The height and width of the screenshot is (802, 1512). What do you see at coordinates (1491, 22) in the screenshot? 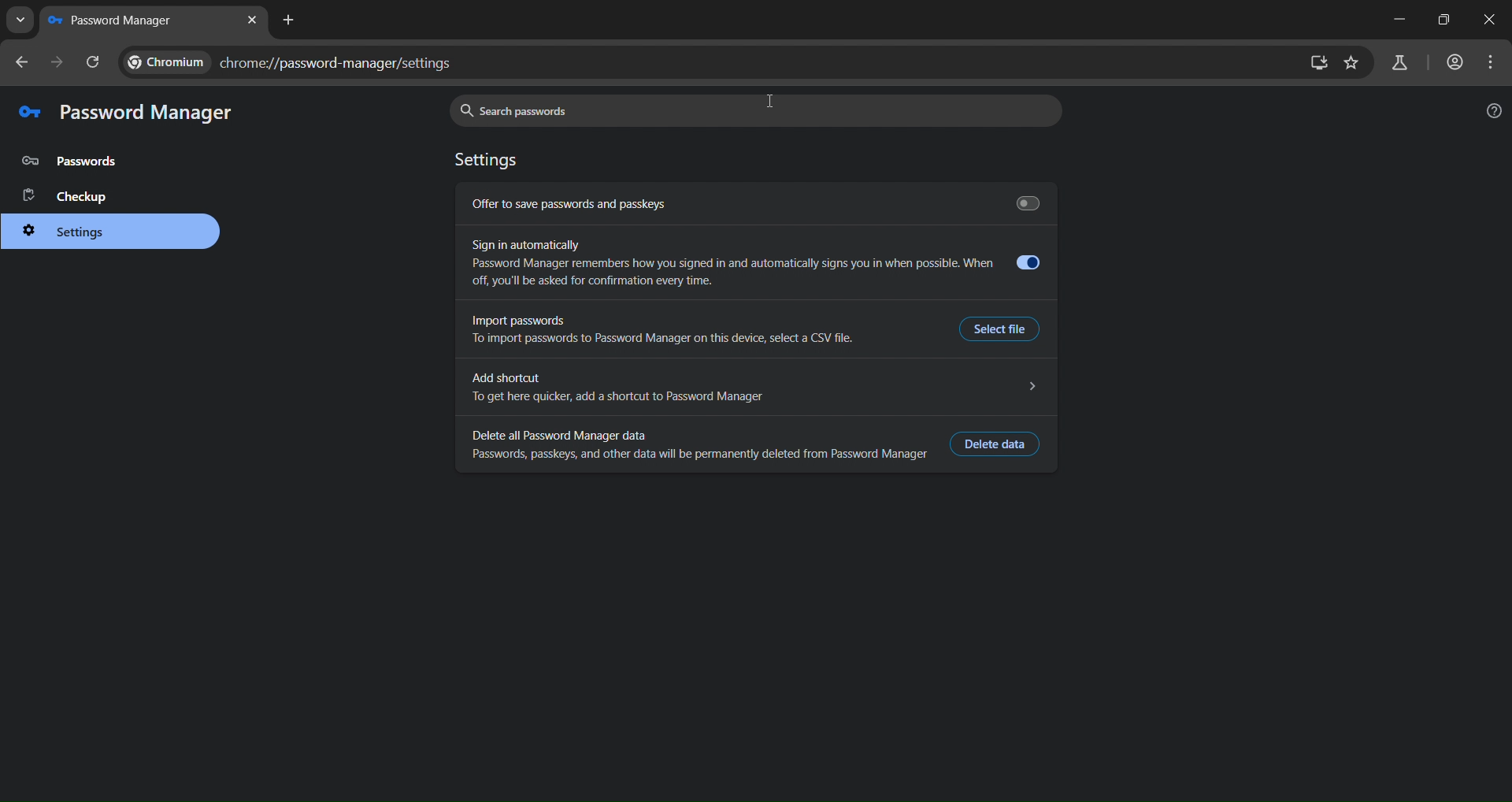
I see `close` at bounding box center [1491, 22].